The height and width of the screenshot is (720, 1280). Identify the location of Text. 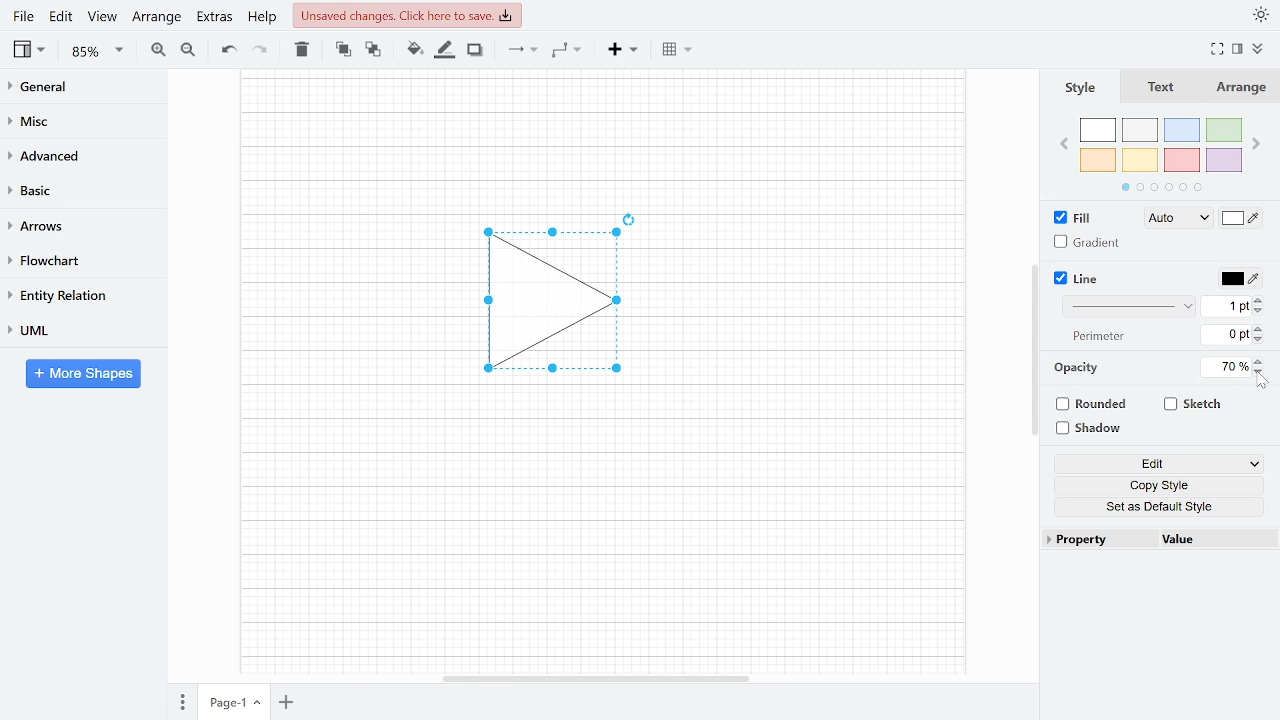
(1157, 88).